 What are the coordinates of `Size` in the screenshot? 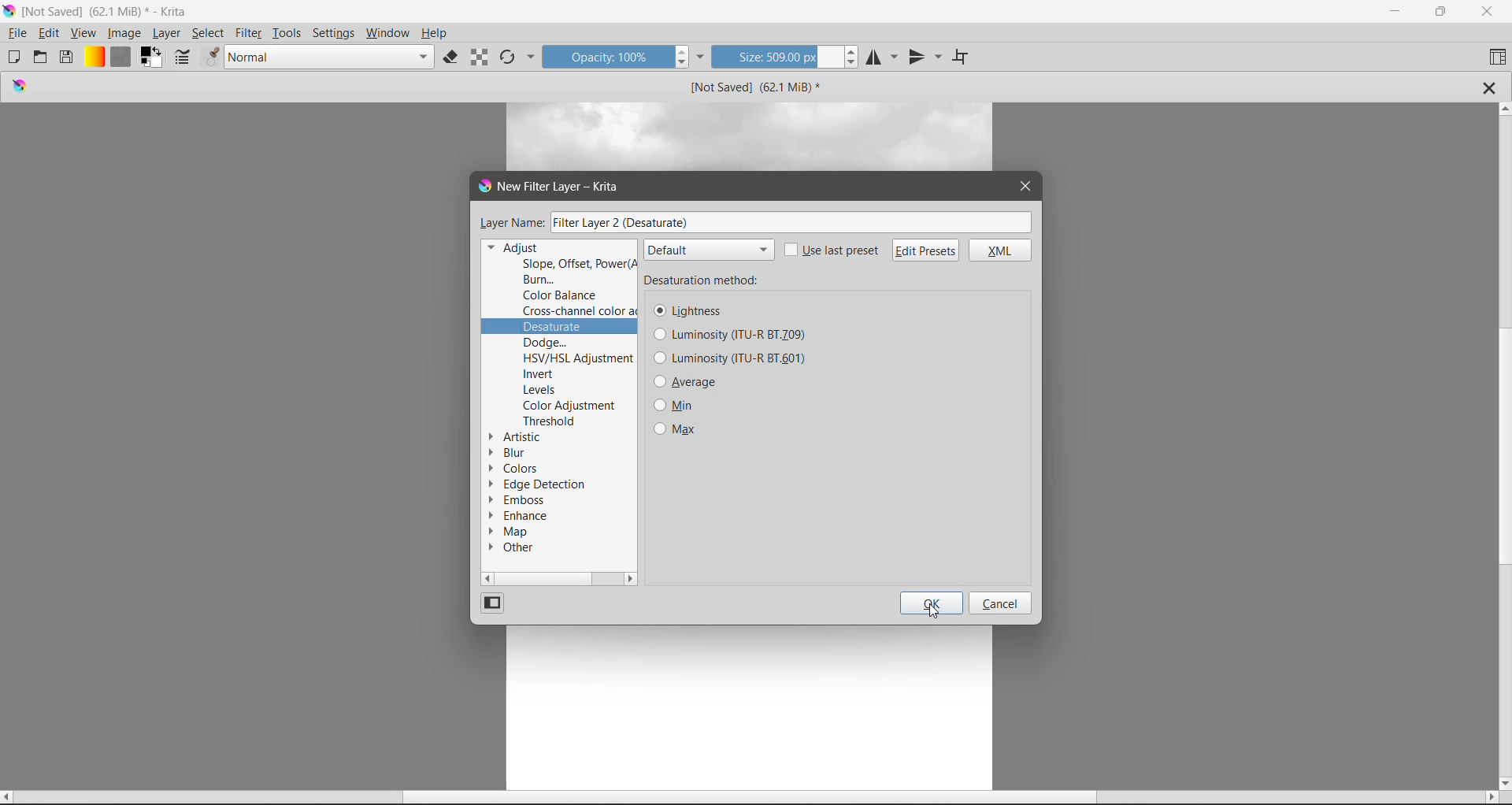 It's located at (776, 57).